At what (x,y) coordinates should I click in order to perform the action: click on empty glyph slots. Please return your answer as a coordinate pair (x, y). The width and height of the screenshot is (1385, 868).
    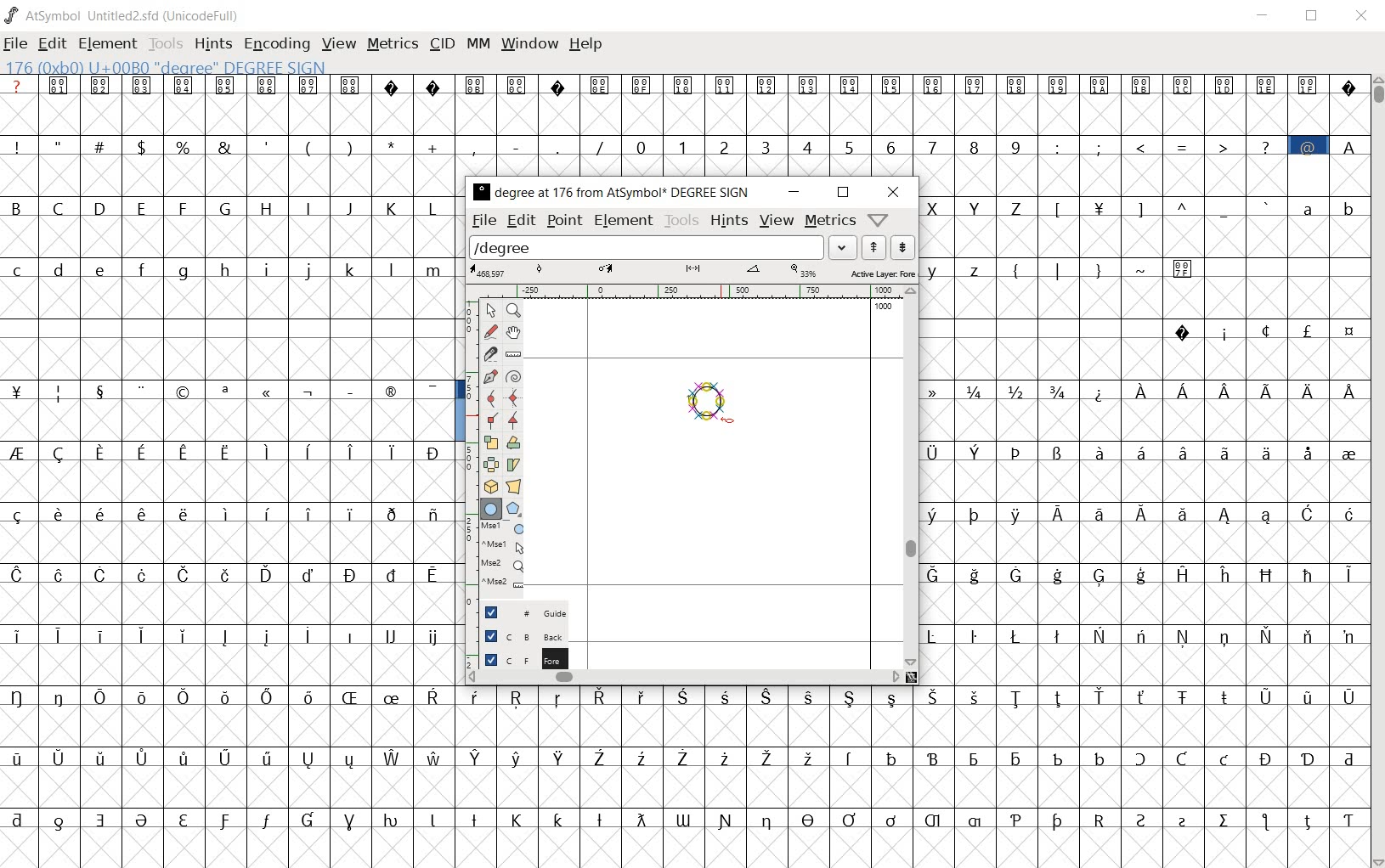
    Looking at the image, I should click on (229, 239).